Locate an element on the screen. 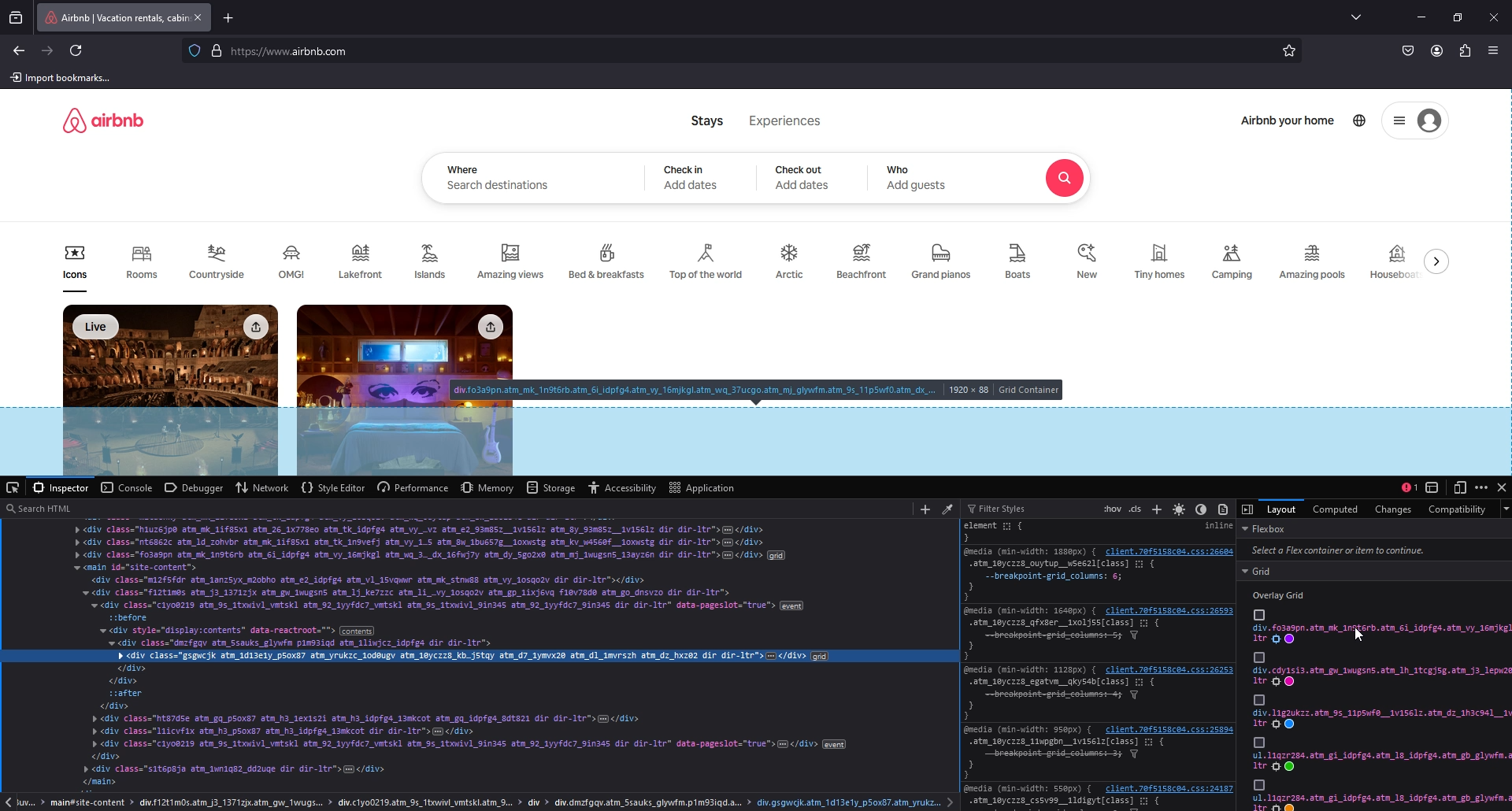 This screenshot has height=811, width=1512. inspector is located at coordinates (63, 487).